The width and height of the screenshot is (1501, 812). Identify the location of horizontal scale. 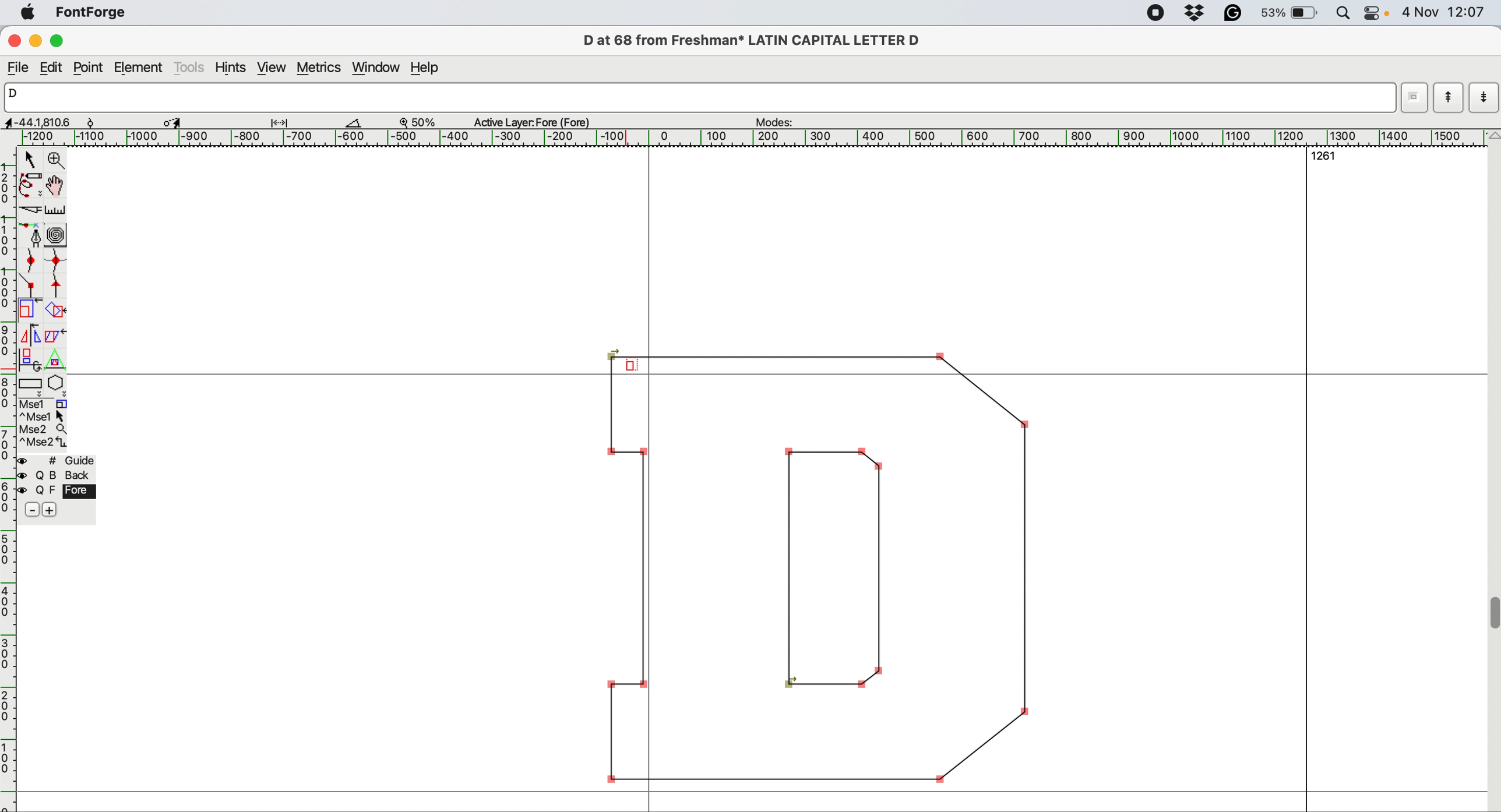
(9, 480).